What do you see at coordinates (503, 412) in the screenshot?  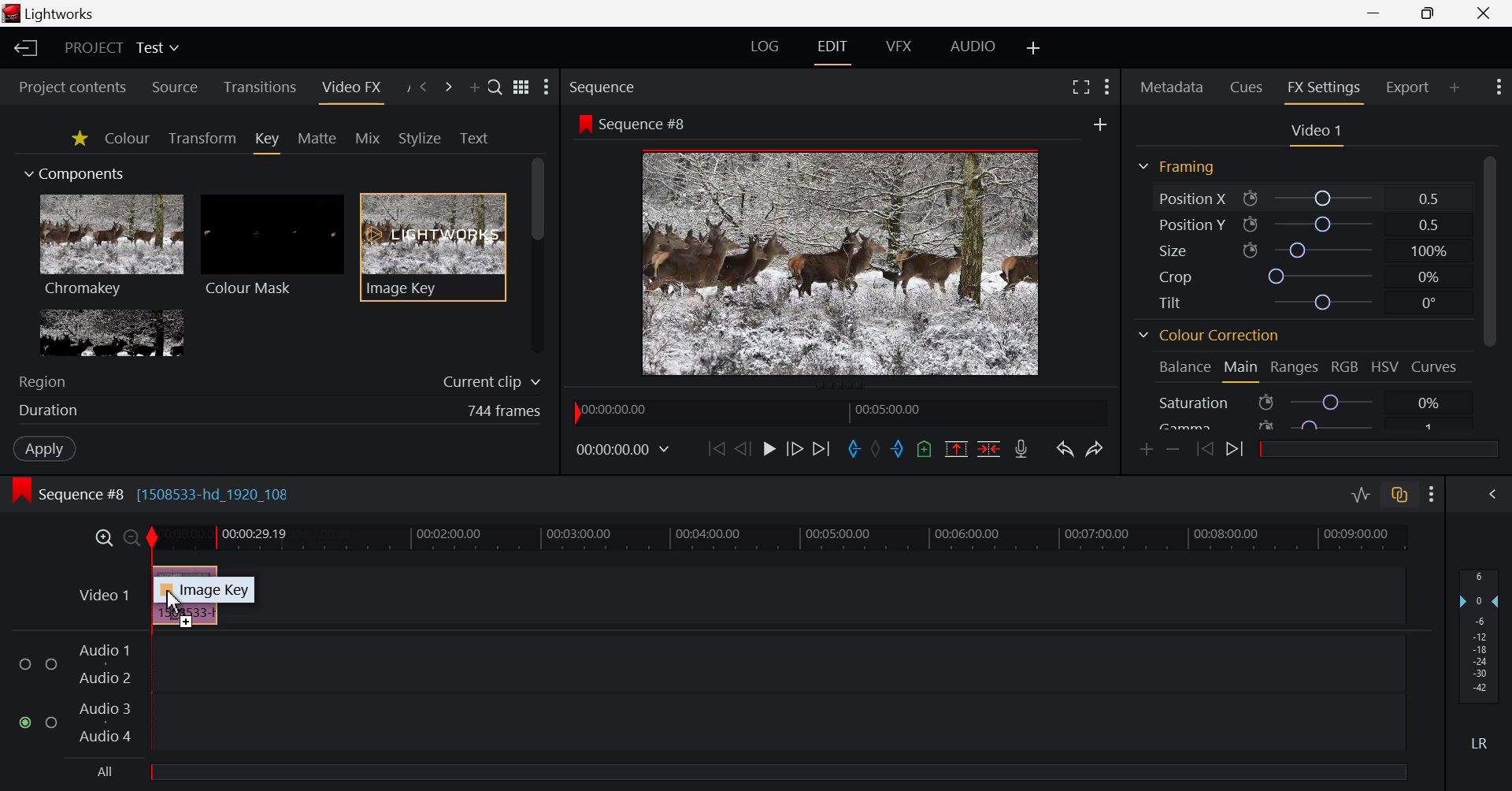 I see `744 frames` at bounding box center [503, 412].